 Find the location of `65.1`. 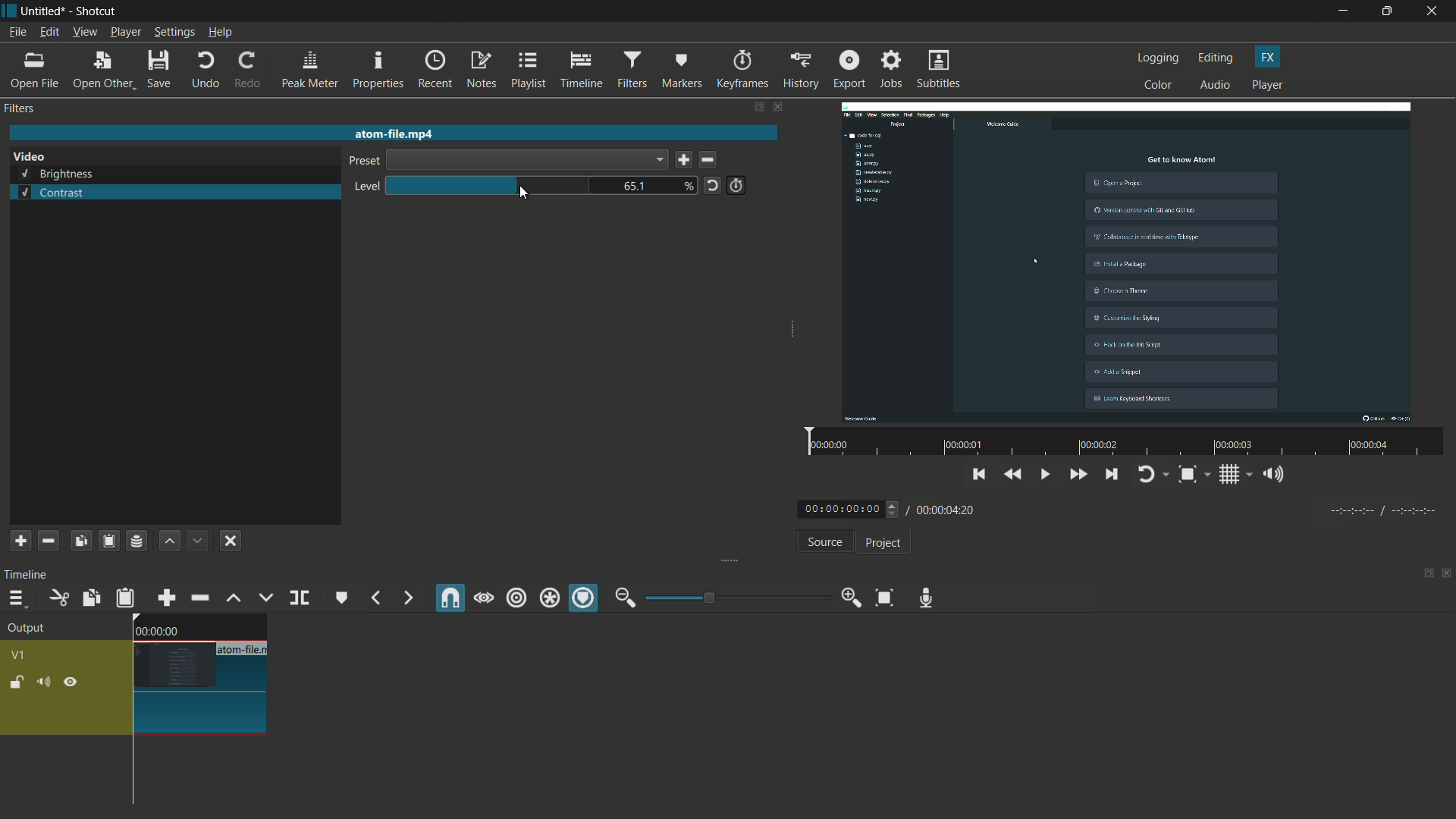

65.1 is located at coordinates (638, 187).